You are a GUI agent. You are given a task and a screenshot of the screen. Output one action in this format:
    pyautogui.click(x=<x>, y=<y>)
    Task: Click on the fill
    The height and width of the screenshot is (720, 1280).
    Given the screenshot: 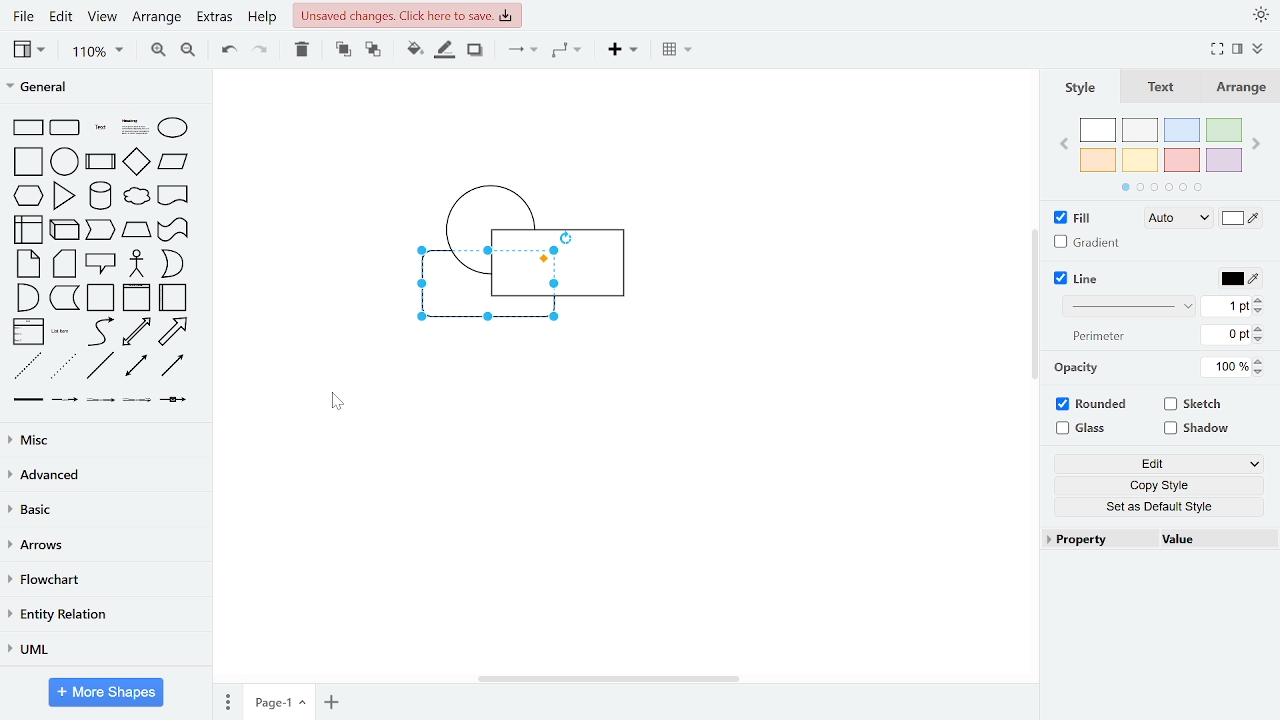 What is the action you would take?
    pyautogui.click(x=1075, y=218)
    